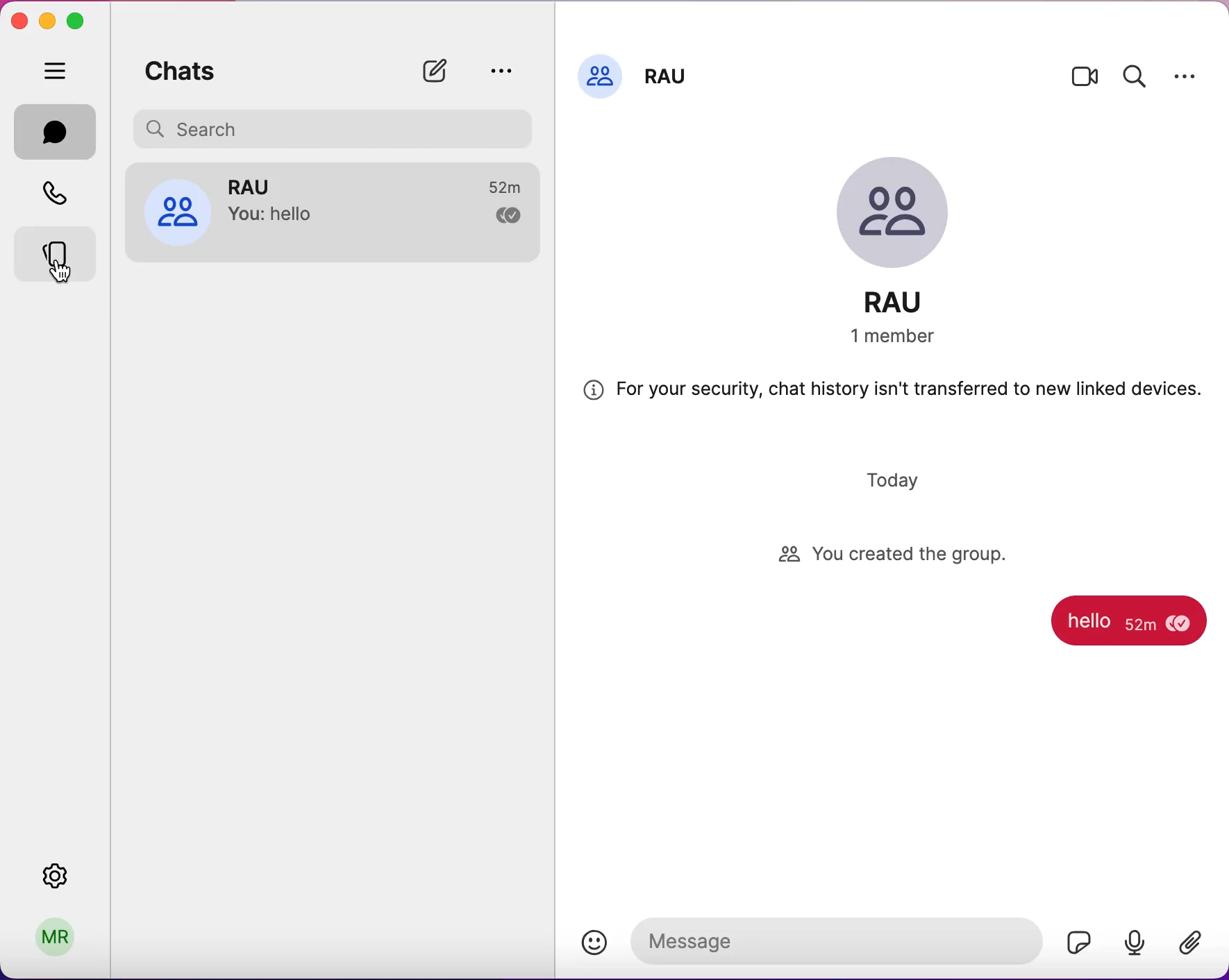  I want to click on chats, so click(58, 131).